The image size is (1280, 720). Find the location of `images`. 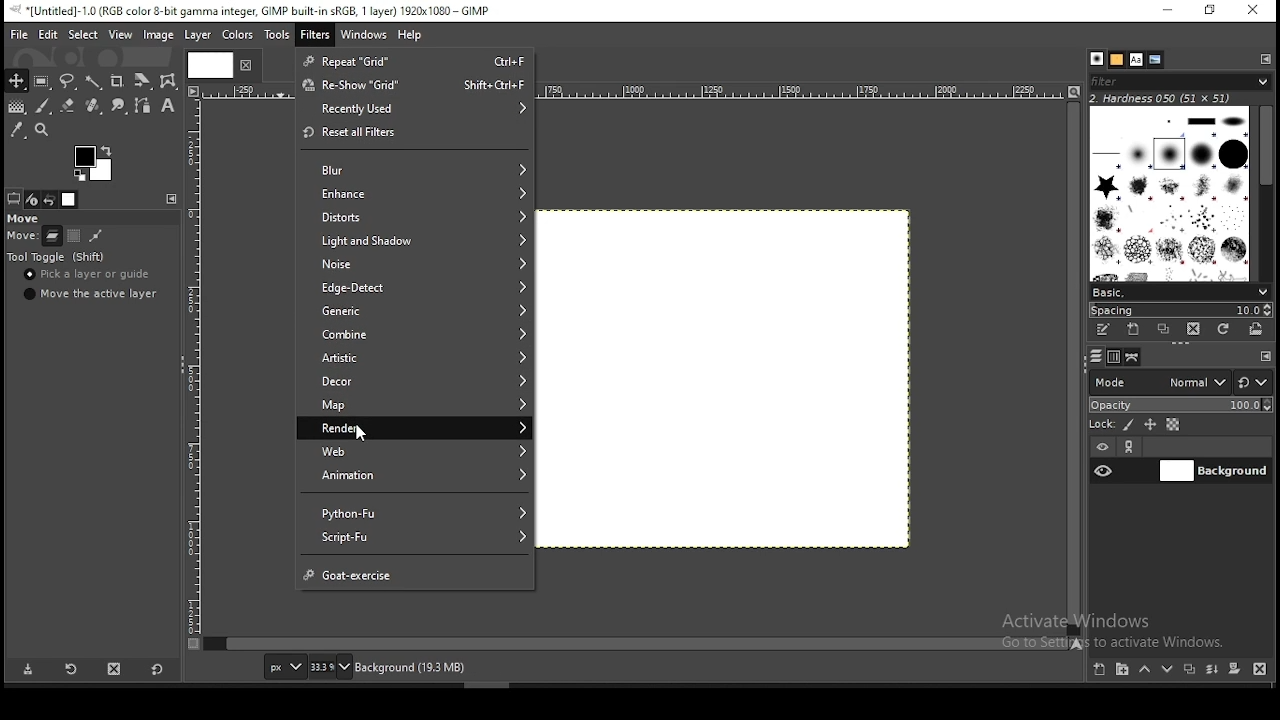

images is located at coordinates (70, 200).